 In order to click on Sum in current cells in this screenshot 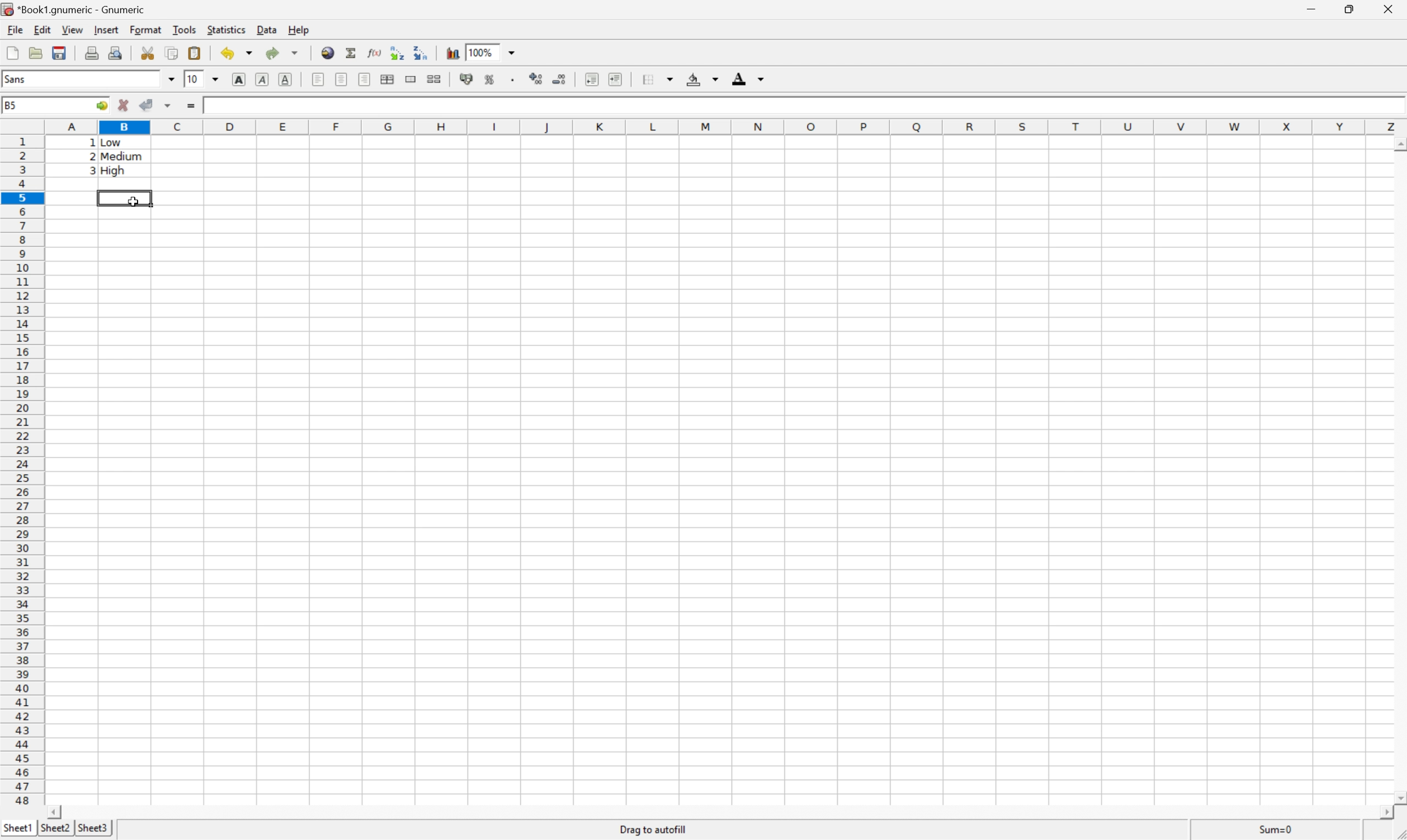, I will do `click(352, 52)`.